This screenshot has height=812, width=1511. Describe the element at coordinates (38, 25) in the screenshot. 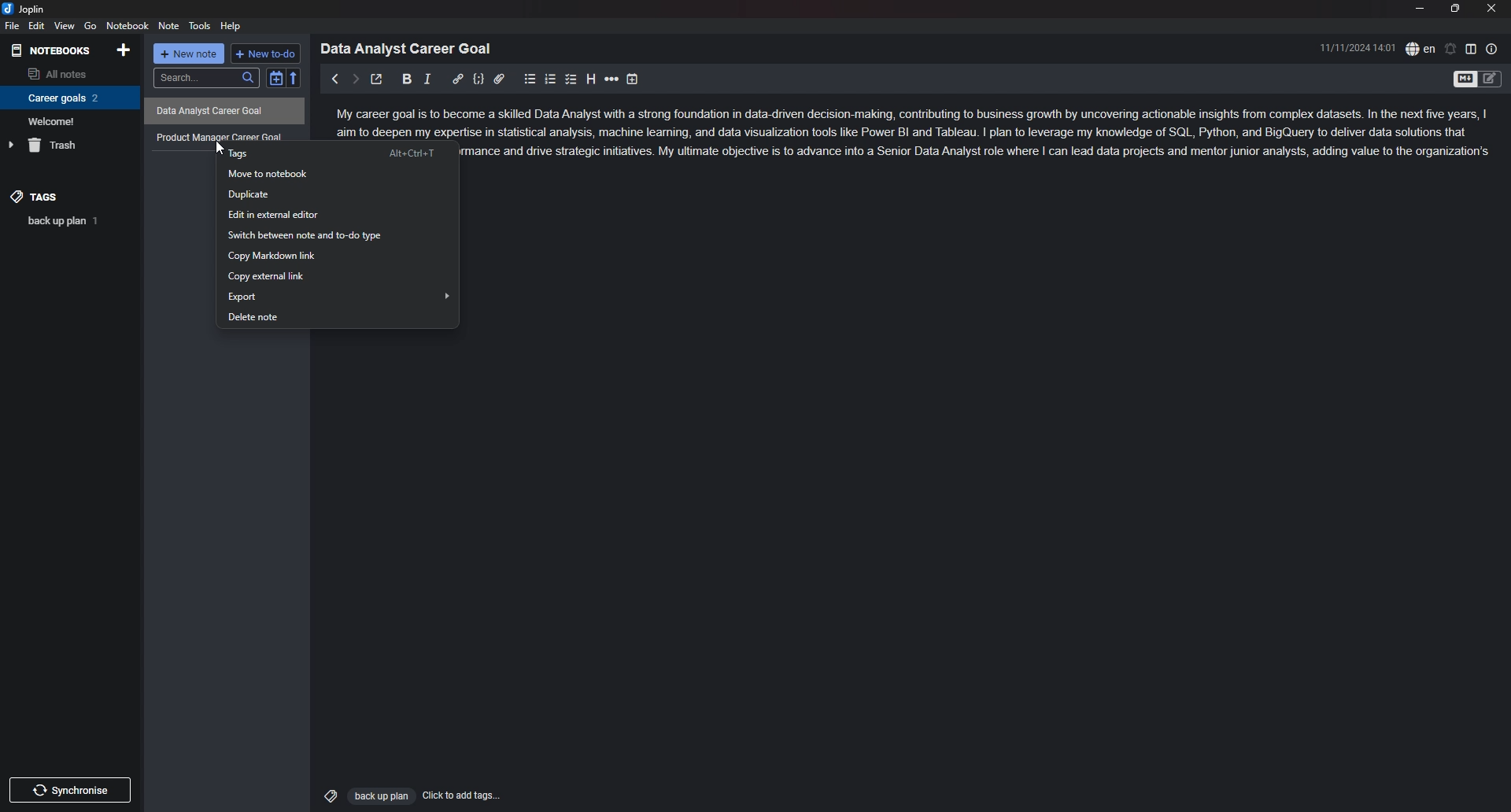

I see `edit` at that location.